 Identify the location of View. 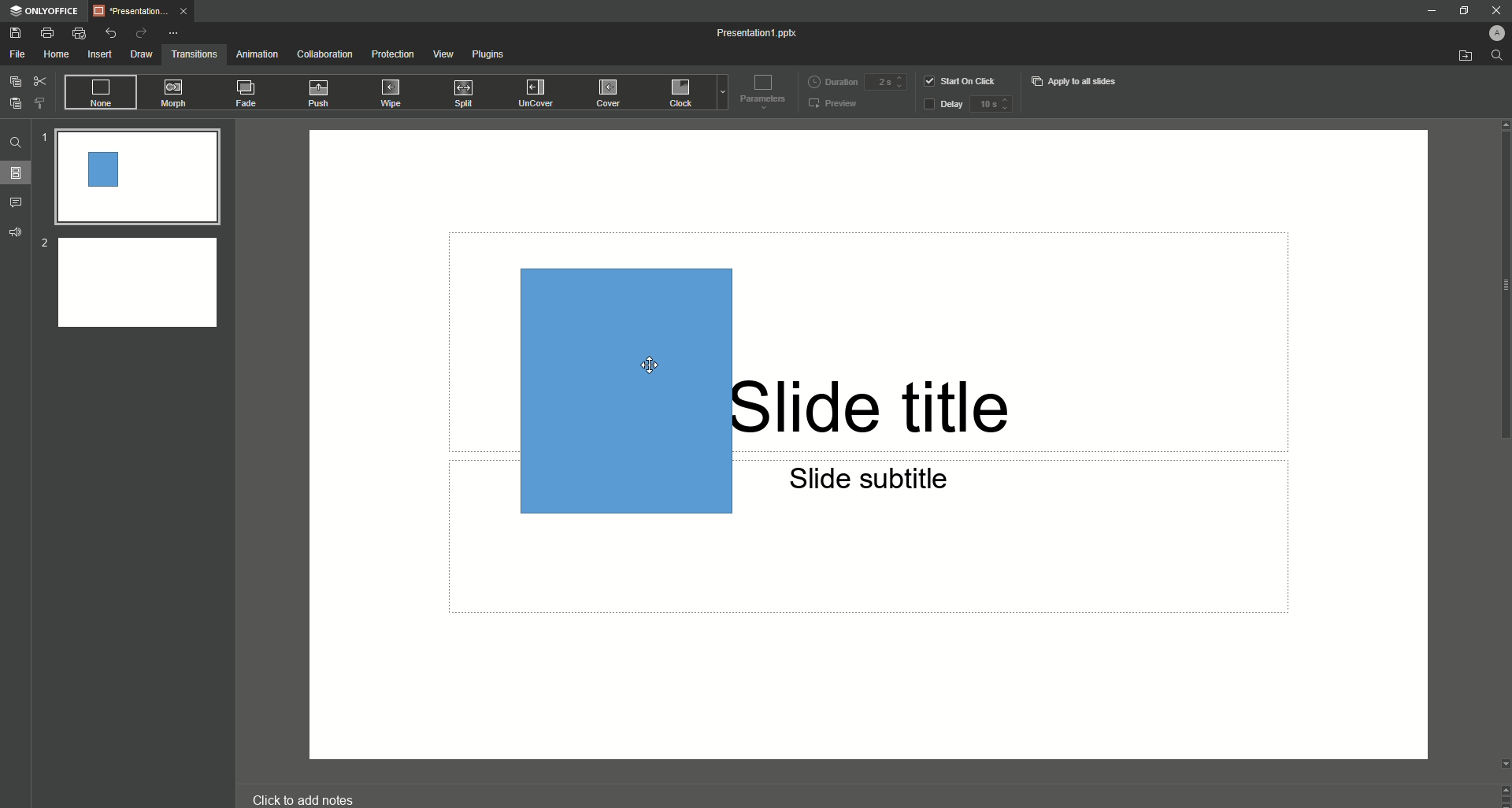
(443, 54).